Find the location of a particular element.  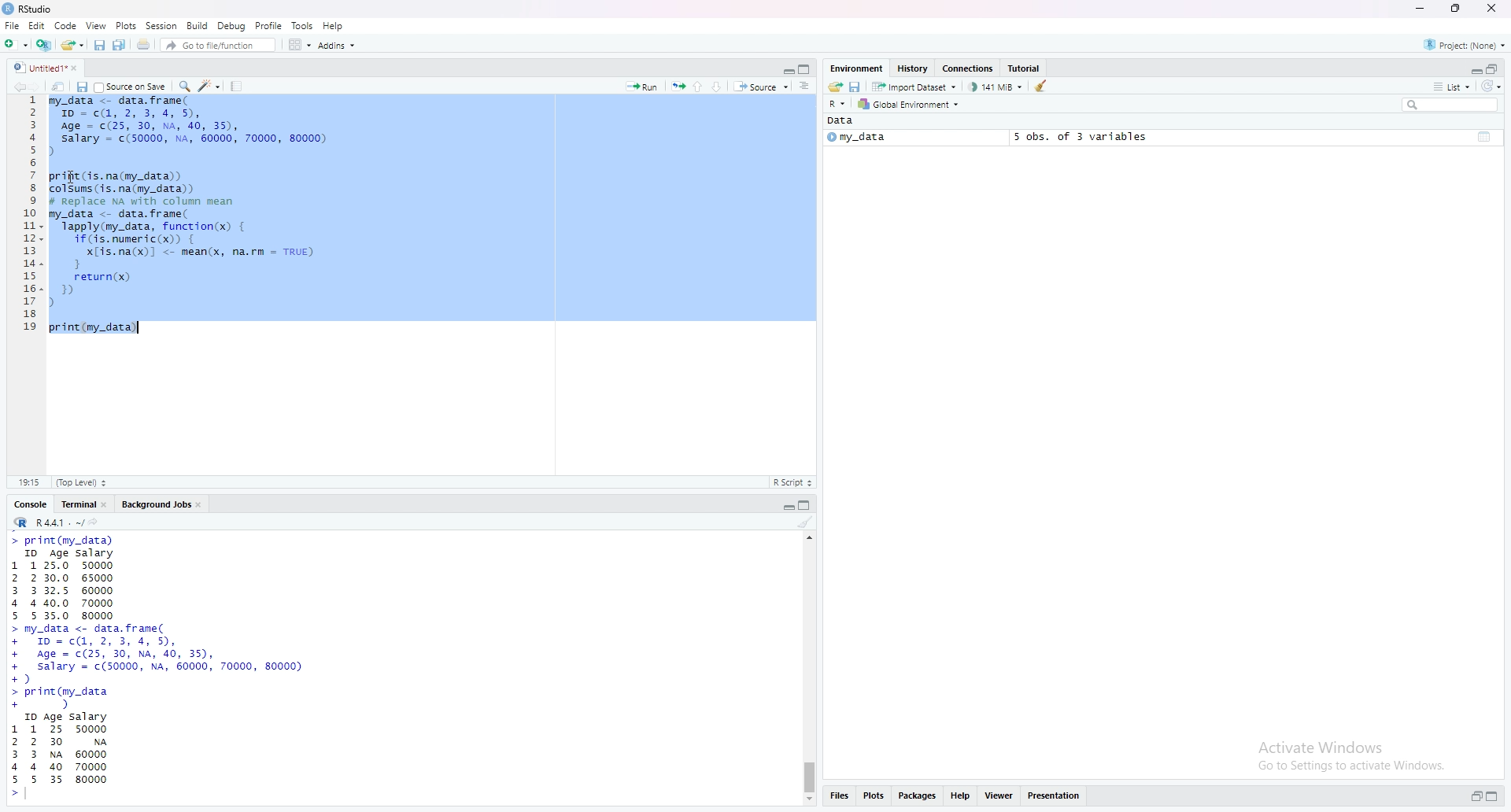

run is located at coordinates (641, 87).